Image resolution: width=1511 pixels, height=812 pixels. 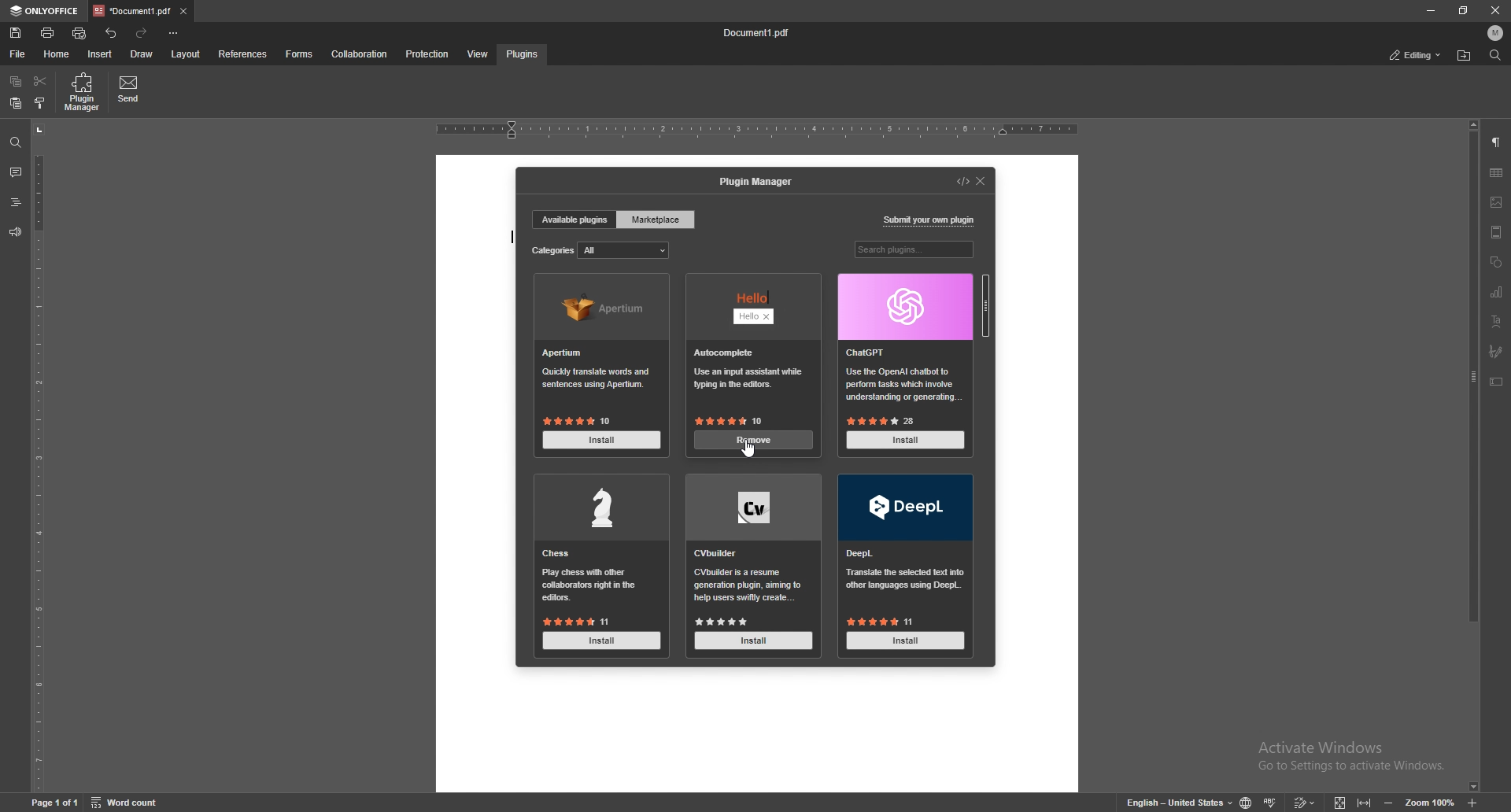 I want to click on find, so click(x=1494, y=57).